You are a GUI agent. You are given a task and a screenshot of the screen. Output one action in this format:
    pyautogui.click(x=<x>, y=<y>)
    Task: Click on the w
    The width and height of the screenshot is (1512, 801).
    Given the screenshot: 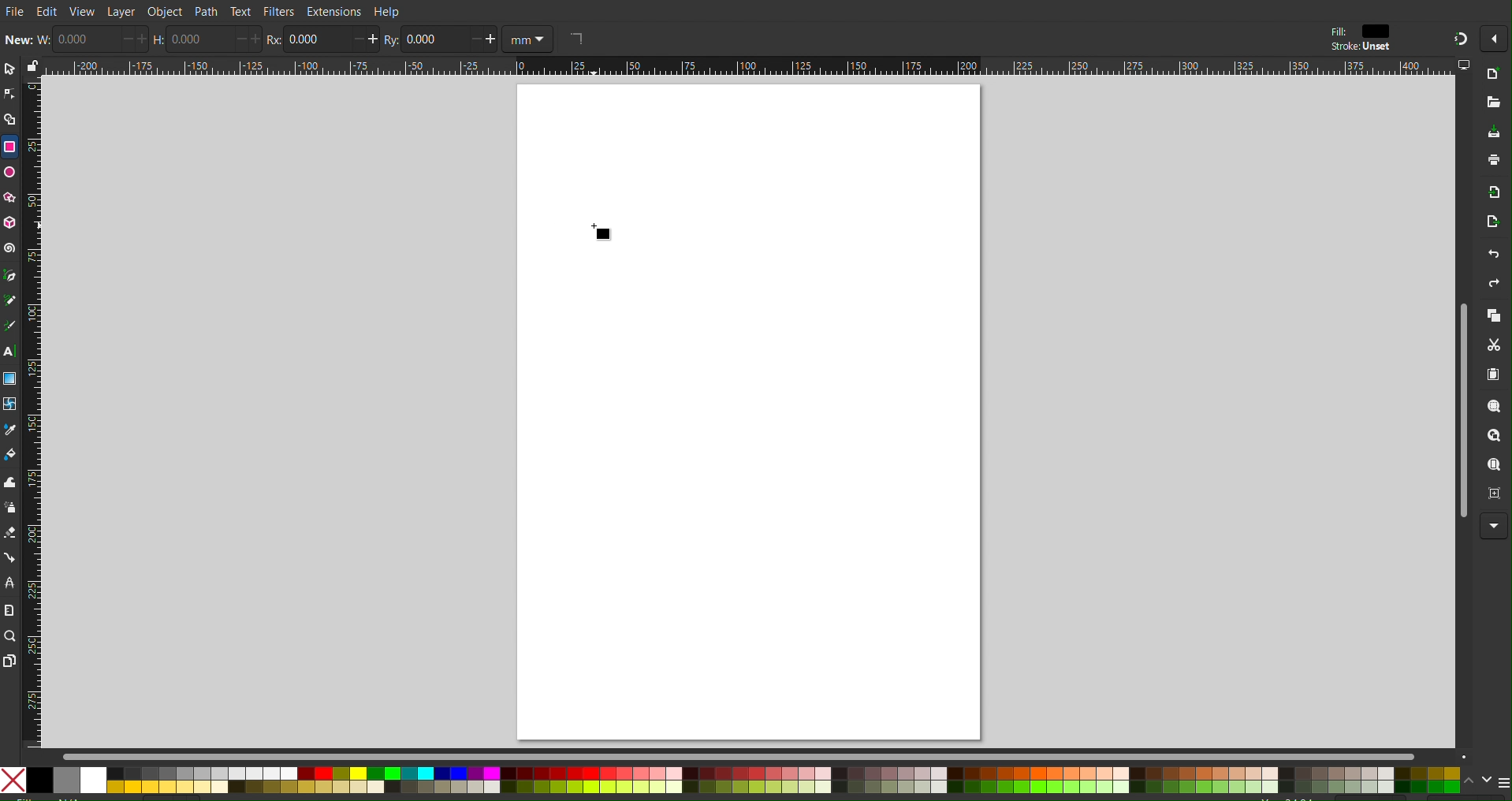 What is the action you would take?
    pyautogui.click(x=44, y=39)
    